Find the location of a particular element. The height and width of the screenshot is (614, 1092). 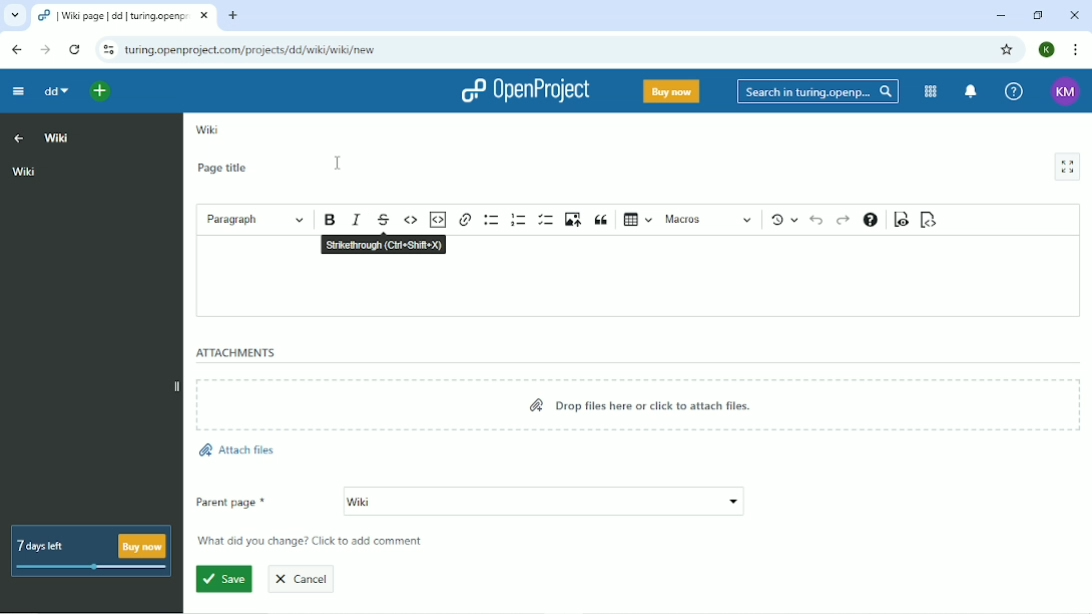

Text formatting help is located at coordinates (871, 220).